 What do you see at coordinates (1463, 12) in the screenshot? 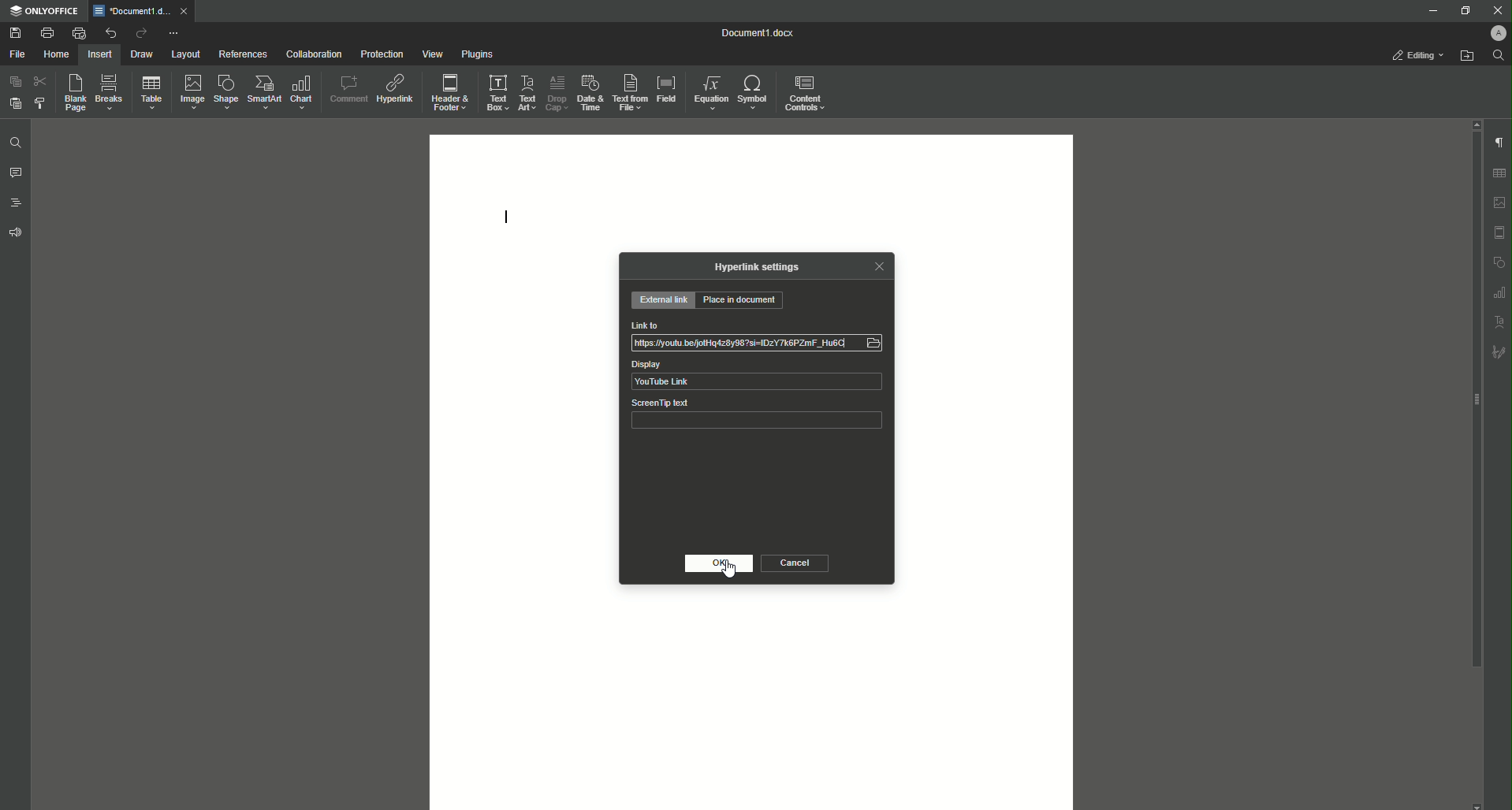
I see `Restore` at bounding box center [1463, 12].